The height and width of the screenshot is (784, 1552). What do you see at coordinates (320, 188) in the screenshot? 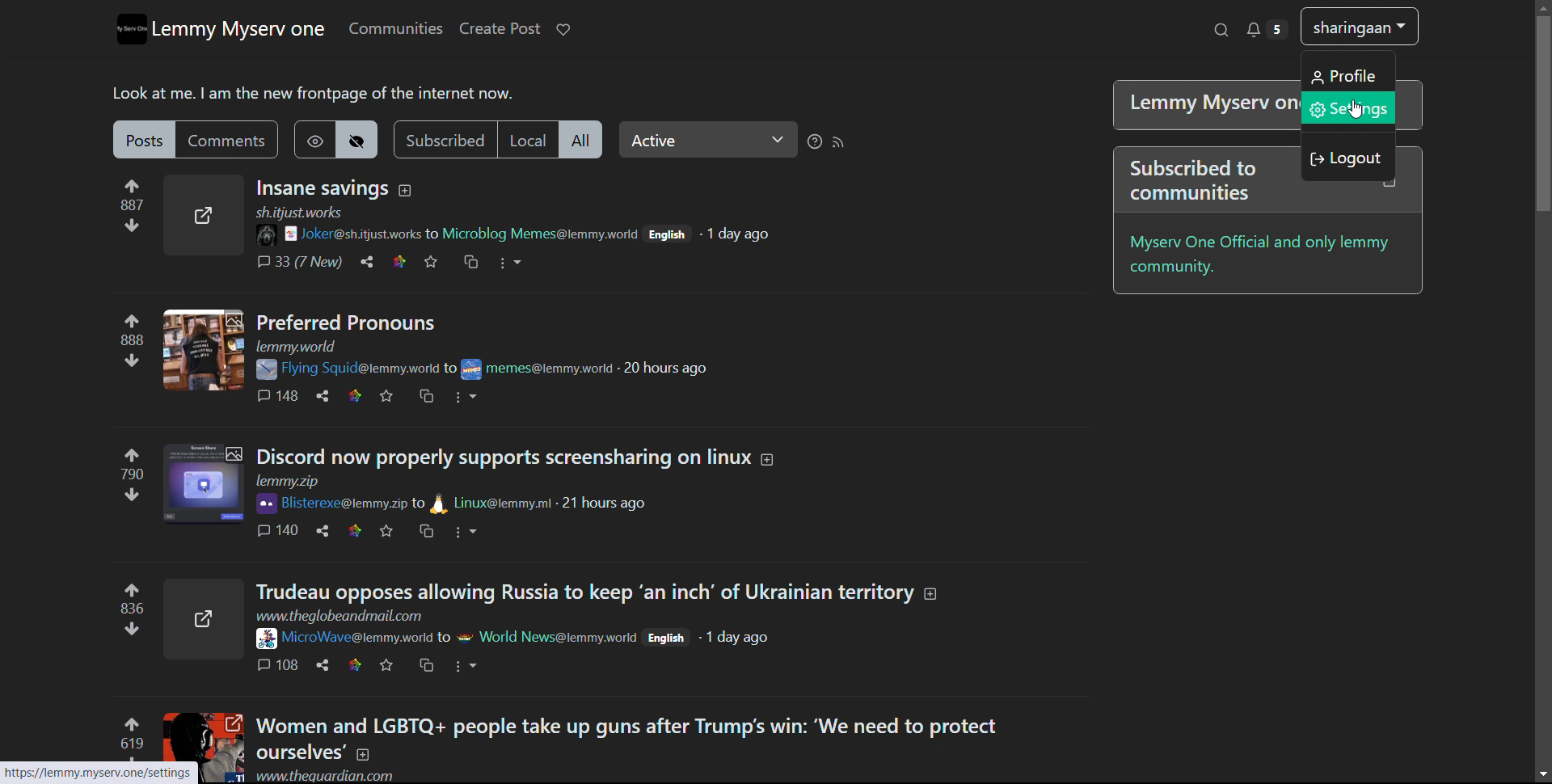
I see `title` at bounding box center [320, 188].